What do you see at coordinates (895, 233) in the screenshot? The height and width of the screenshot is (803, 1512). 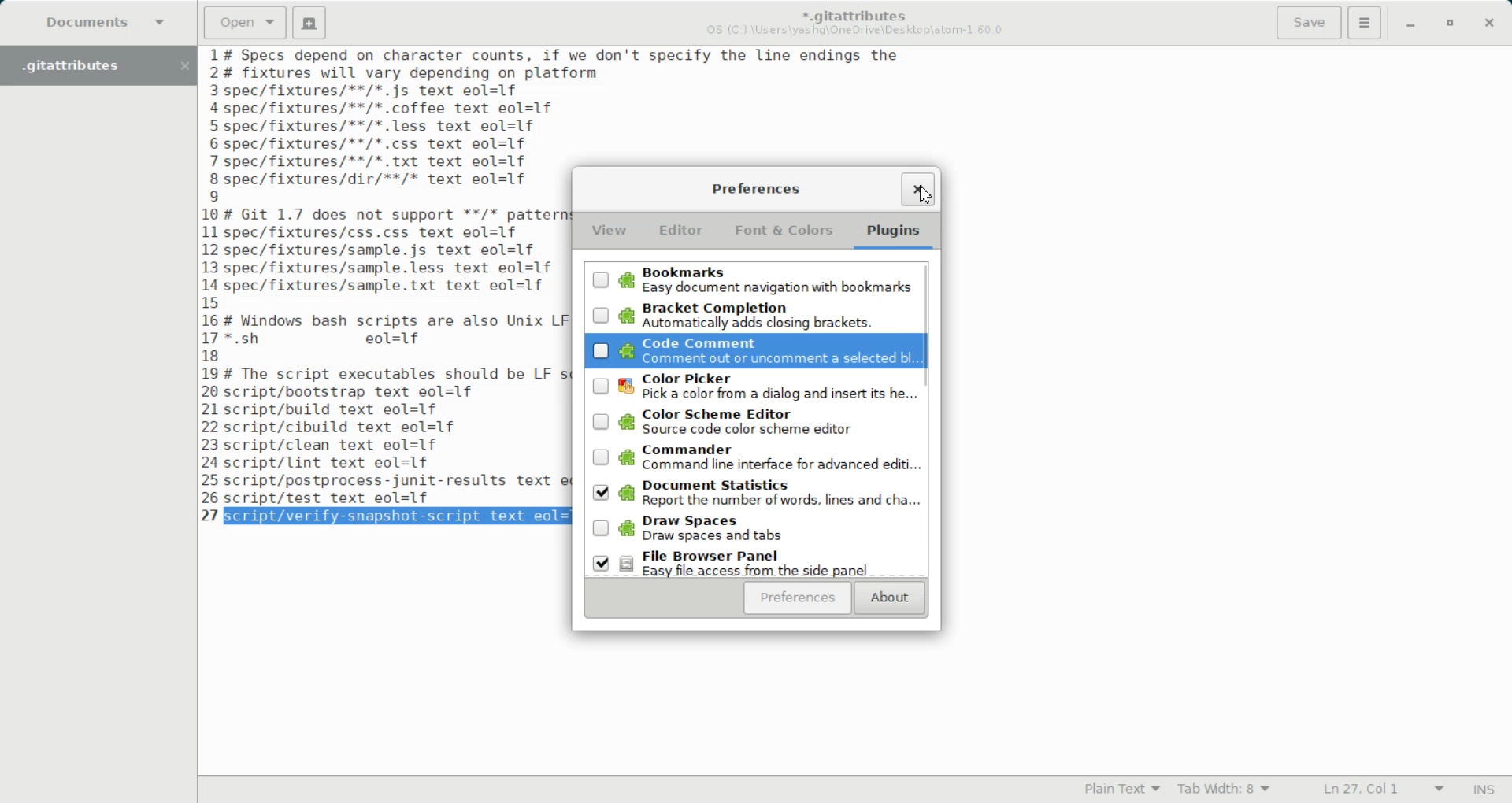 I see `Plugins (selected)` at bounding box center [895, 233].